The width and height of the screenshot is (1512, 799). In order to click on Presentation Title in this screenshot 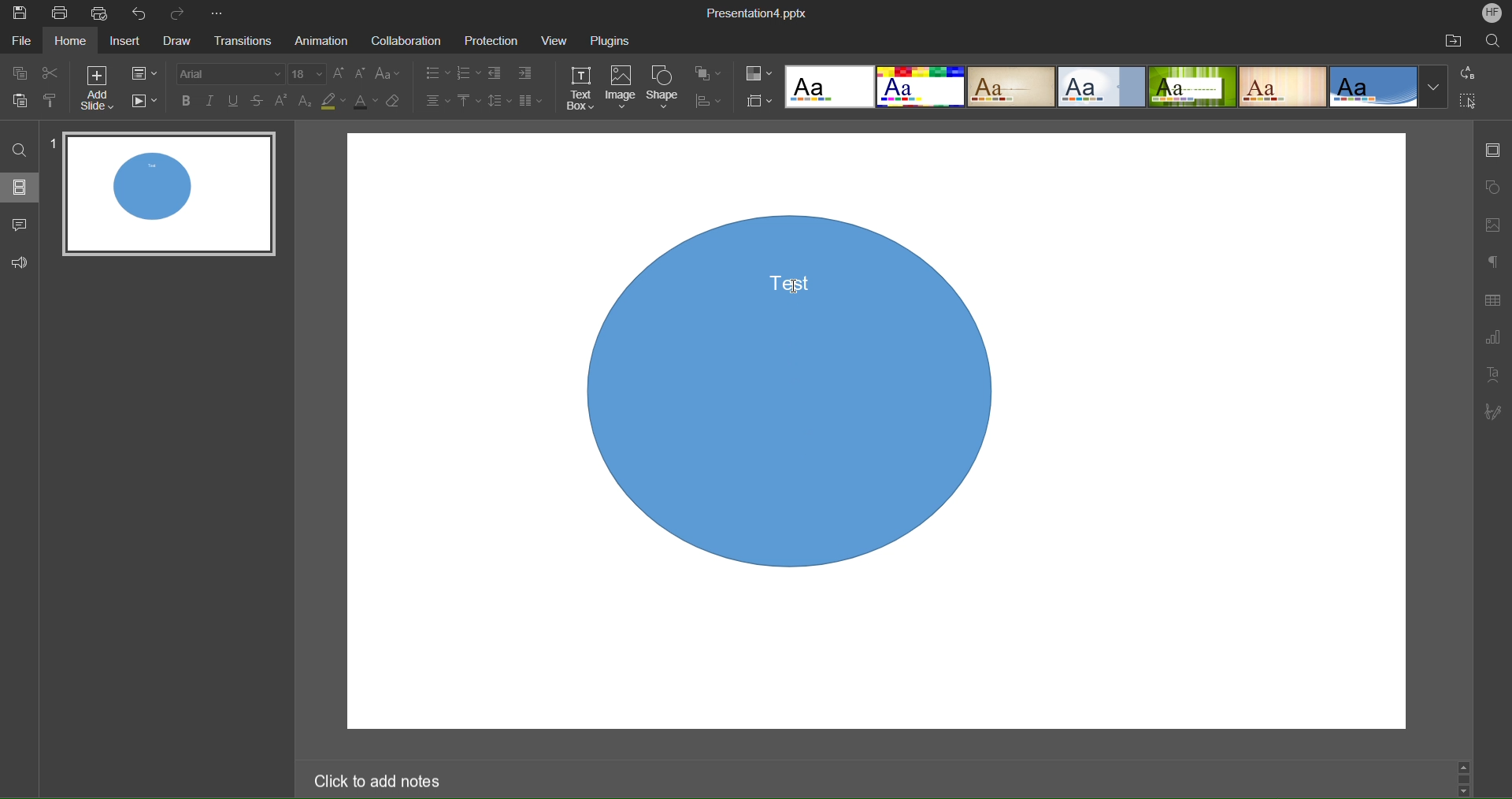, I will do `click(764, 13)`.